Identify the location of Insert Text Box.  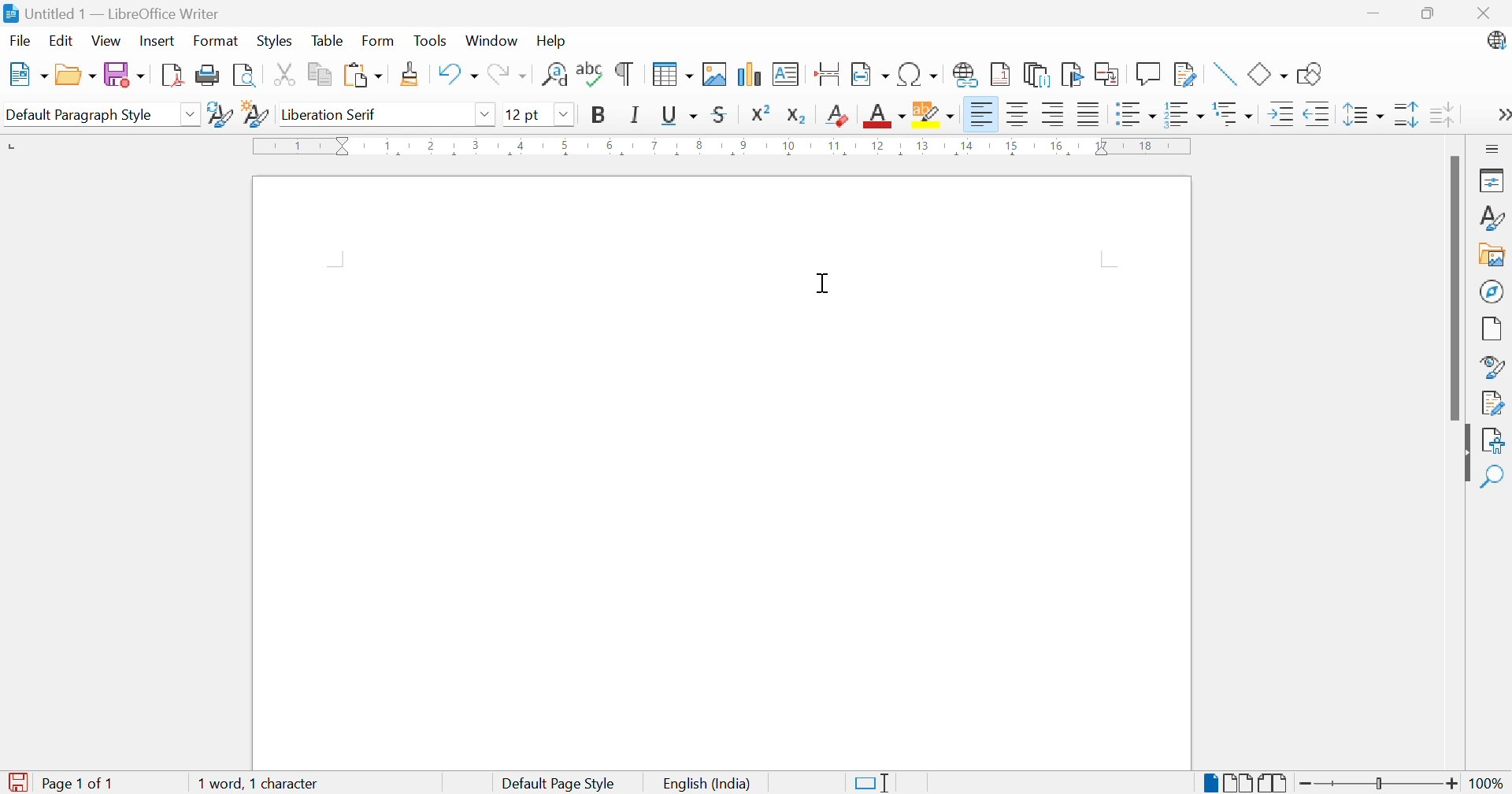
(787, 73).